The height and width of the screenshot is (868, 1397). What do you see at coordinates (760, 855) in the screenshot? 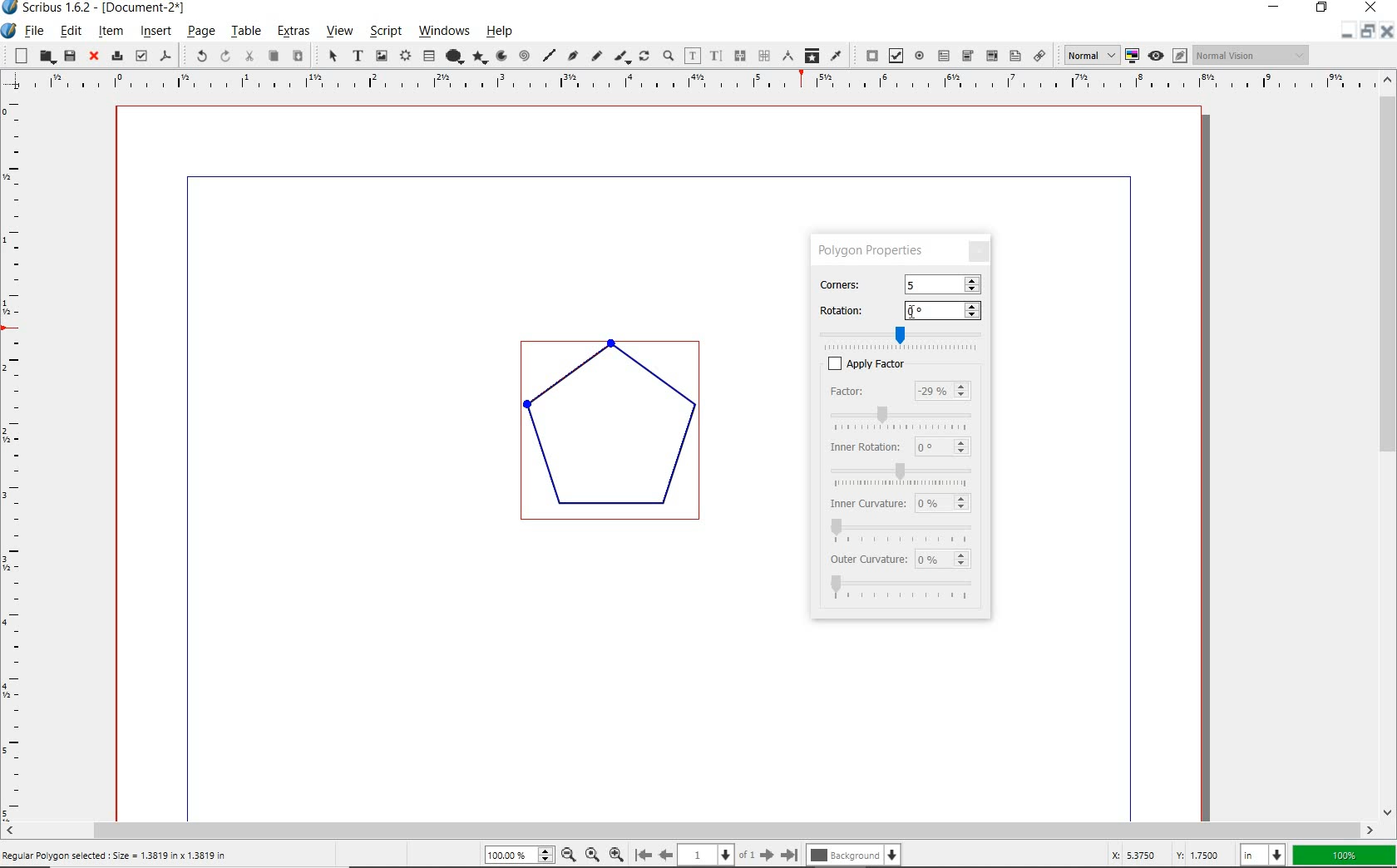
I see `Move to next page` at bounding box center [760, 855].